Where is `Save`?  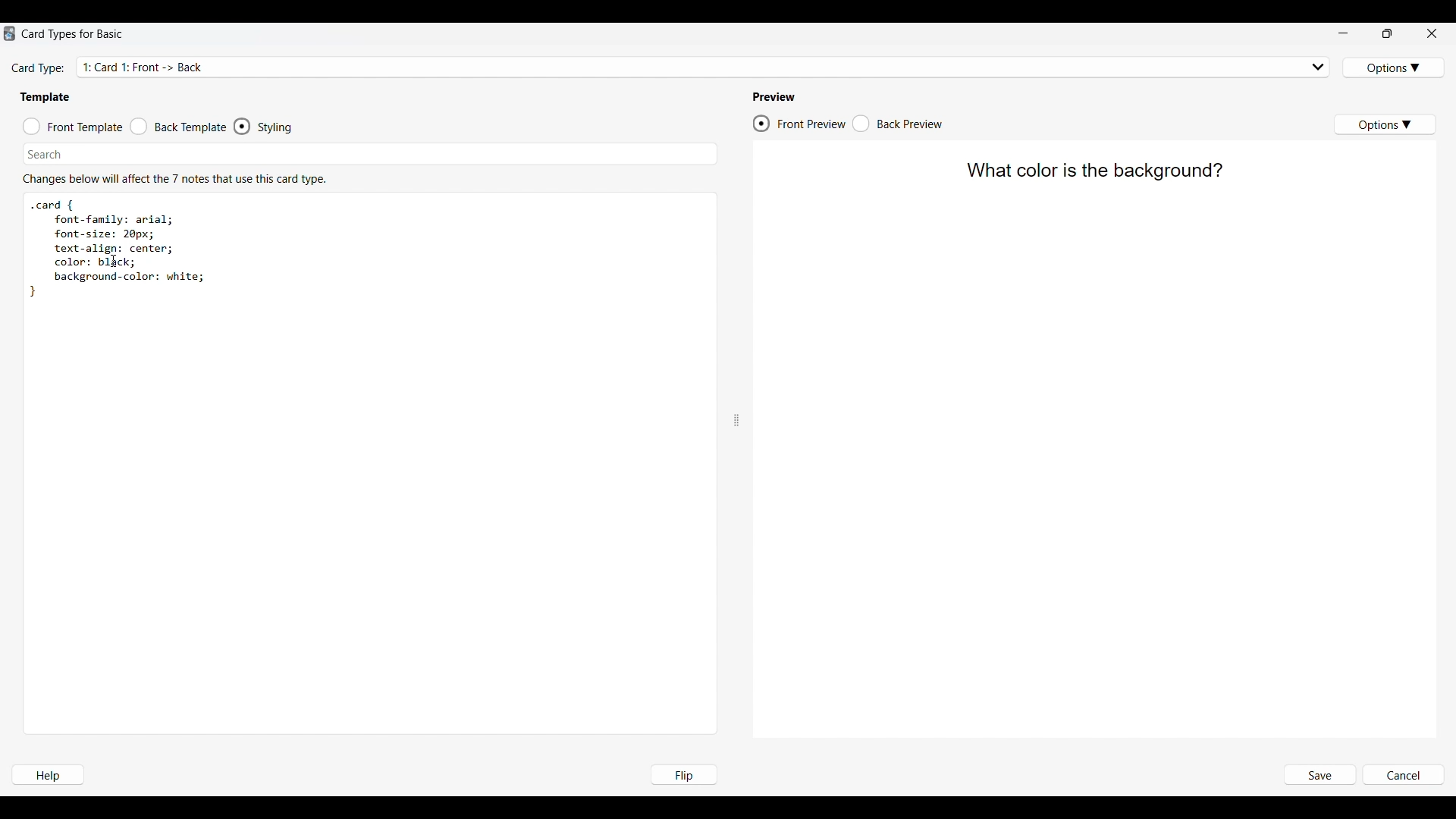 Save is located at coordinates (1319, 776).